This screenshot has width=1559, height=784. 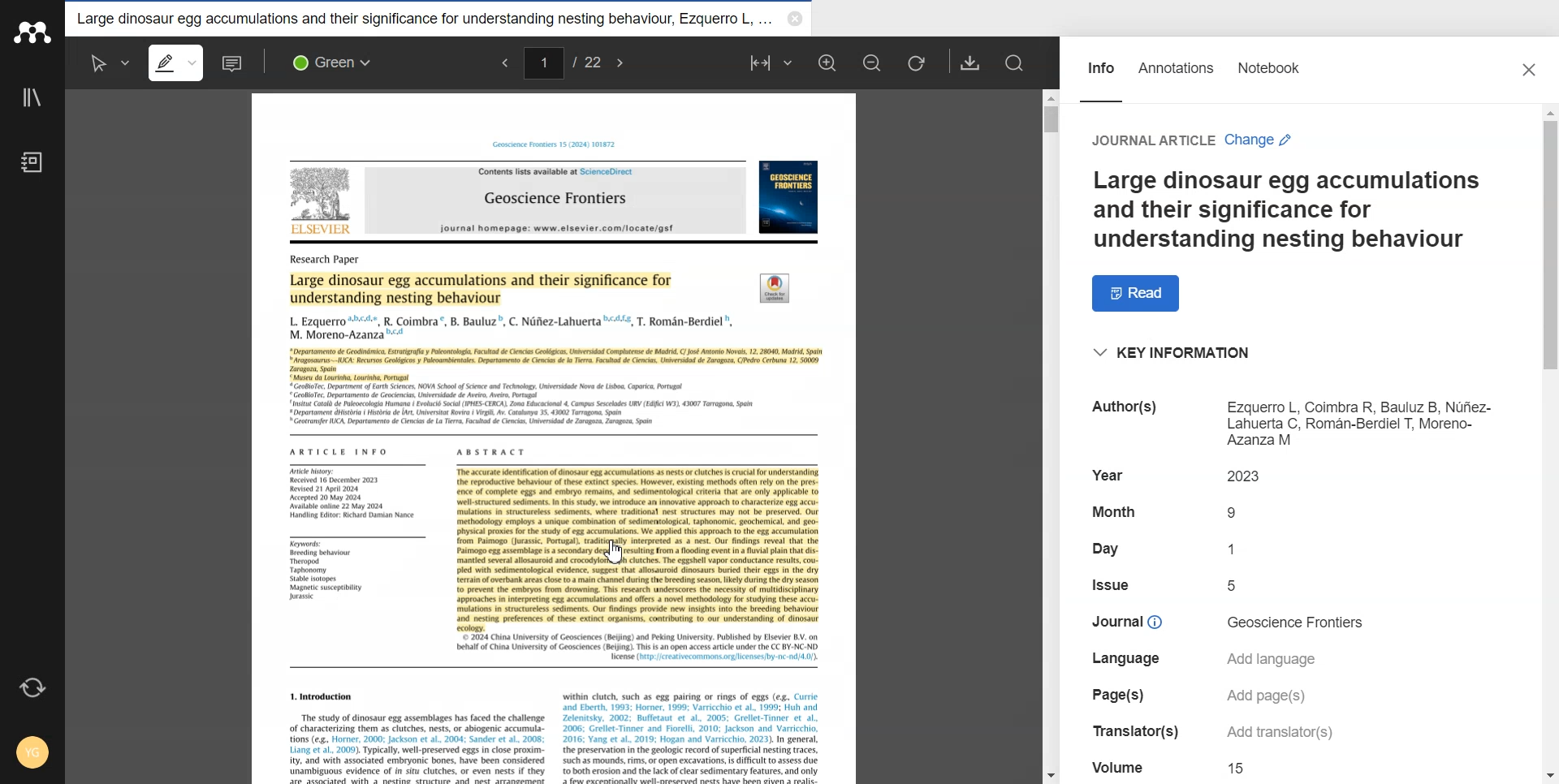 I want to click on text, so click(x=1122, y=621).